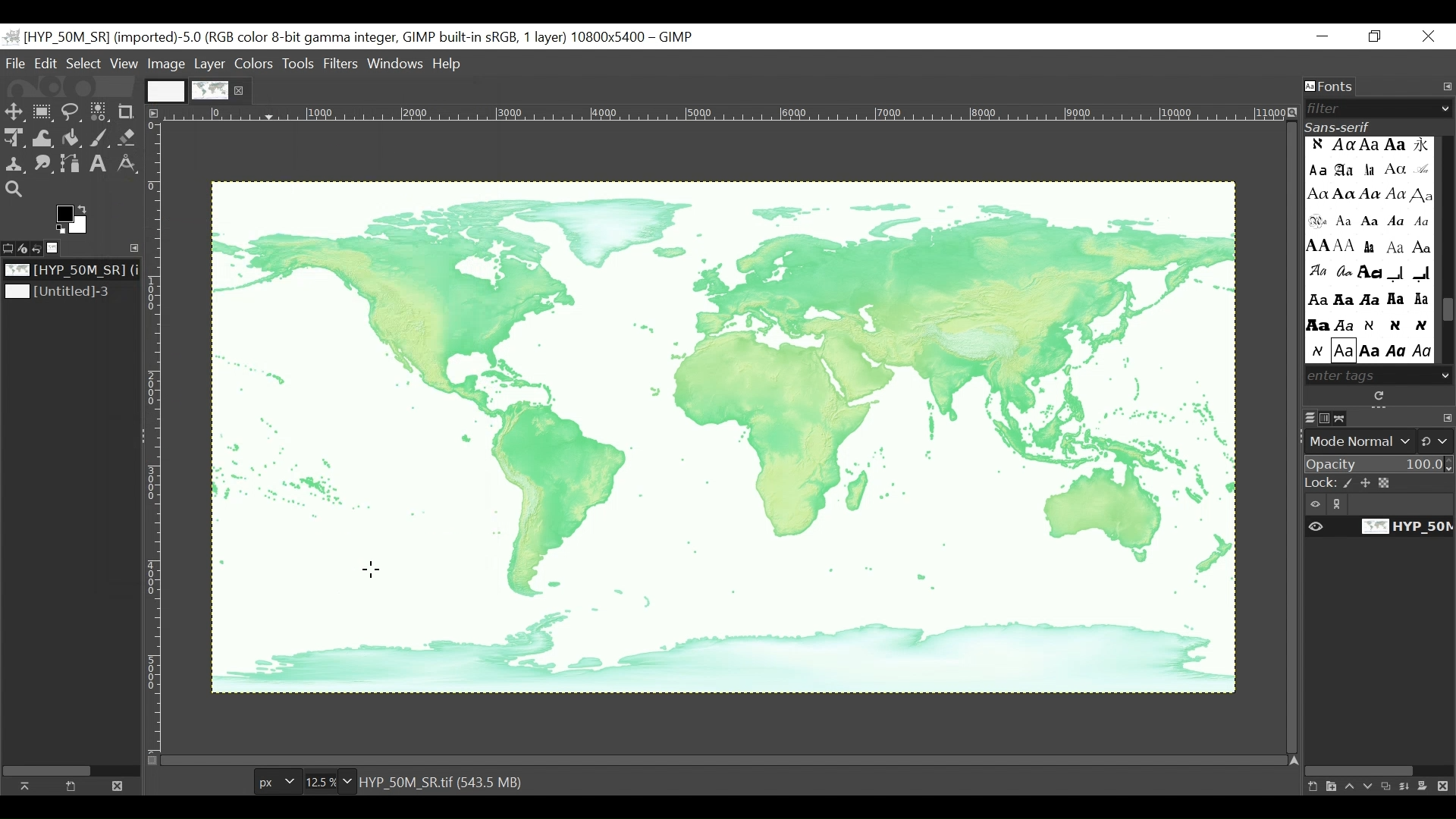  I want to click on Lock, so click(1380, 484).